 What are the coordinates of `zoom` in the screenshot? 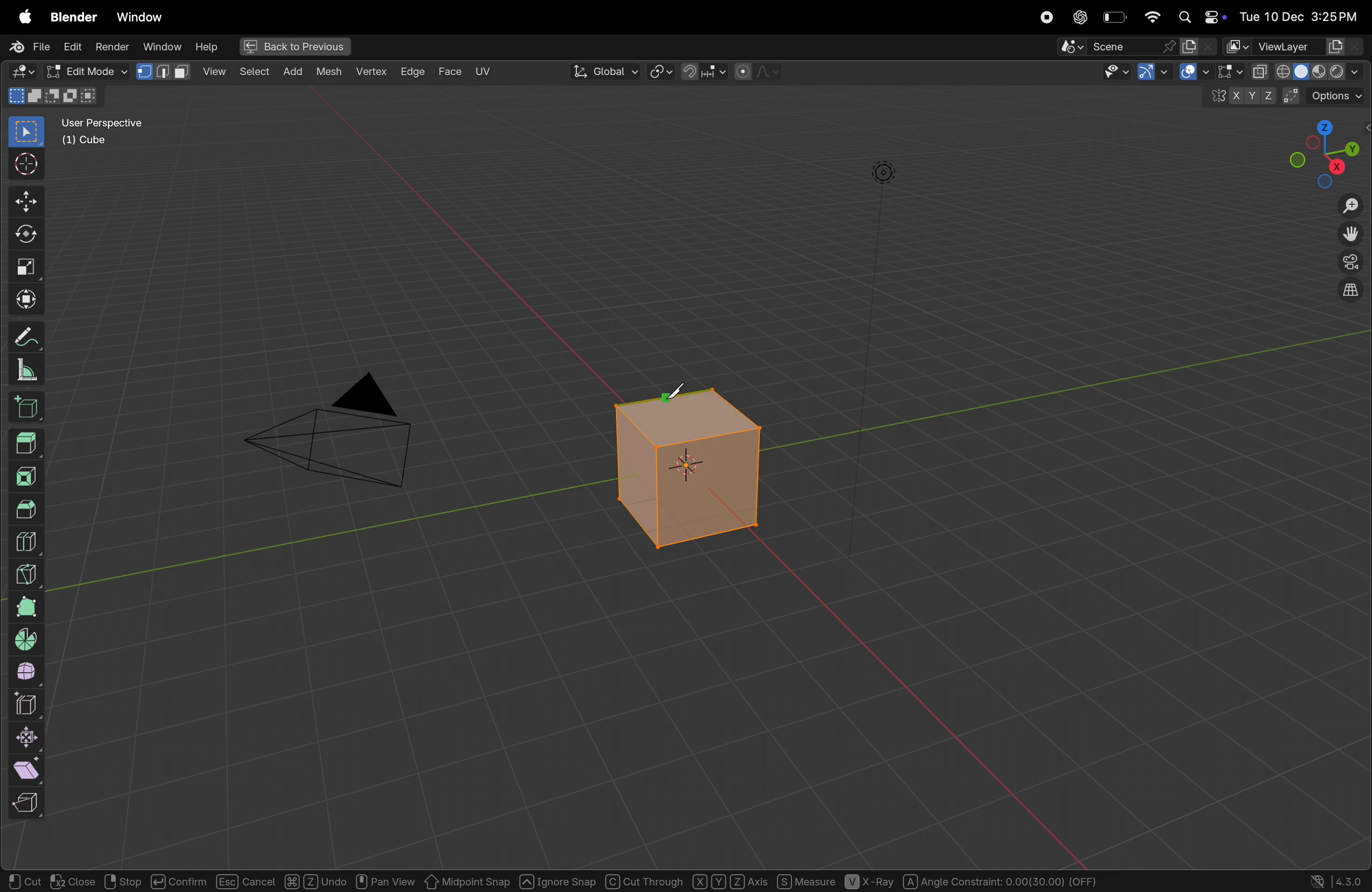 It's located at (1349, 207).